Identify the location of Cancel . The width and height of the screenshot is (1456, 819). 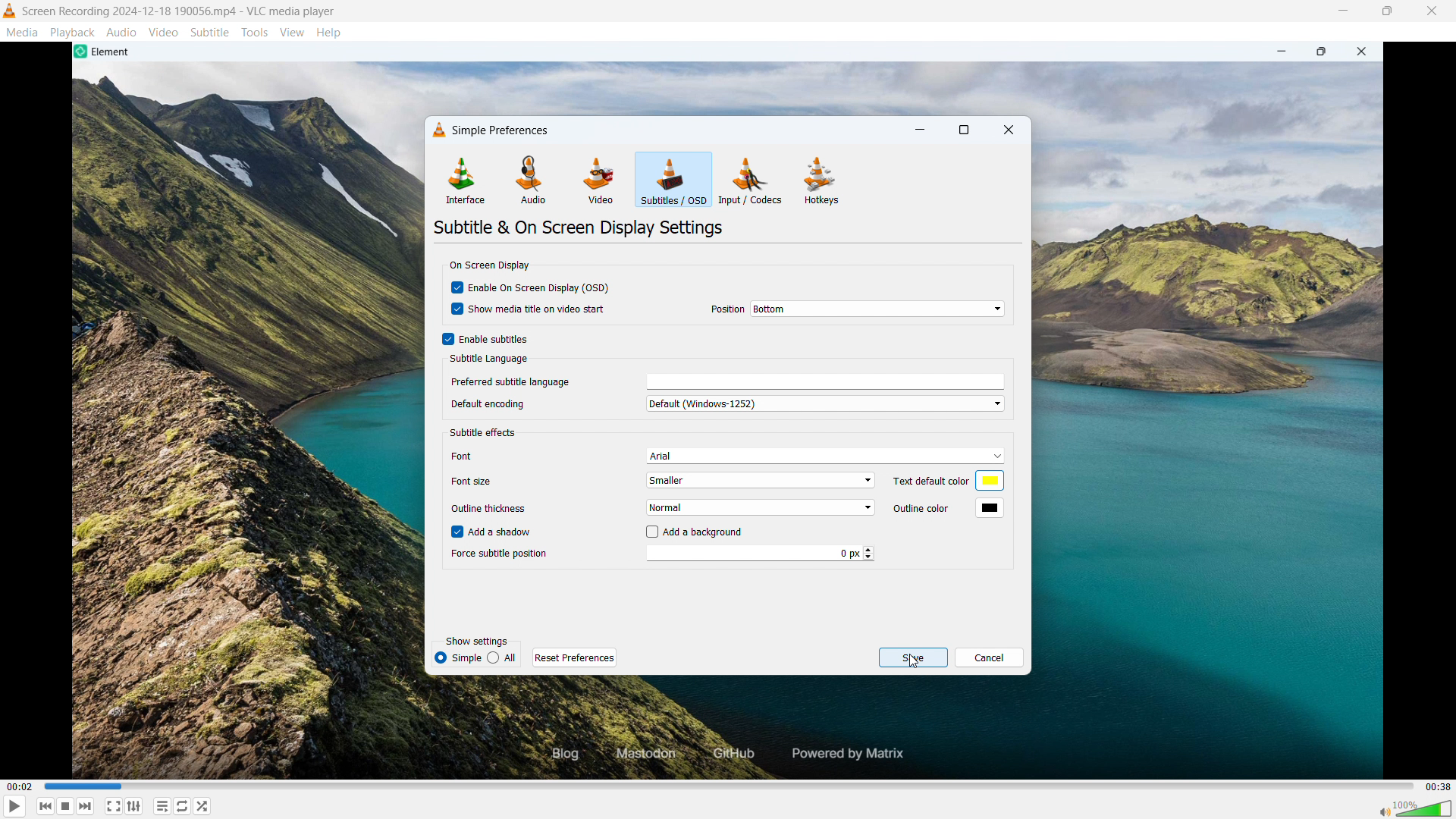
(989, 657).